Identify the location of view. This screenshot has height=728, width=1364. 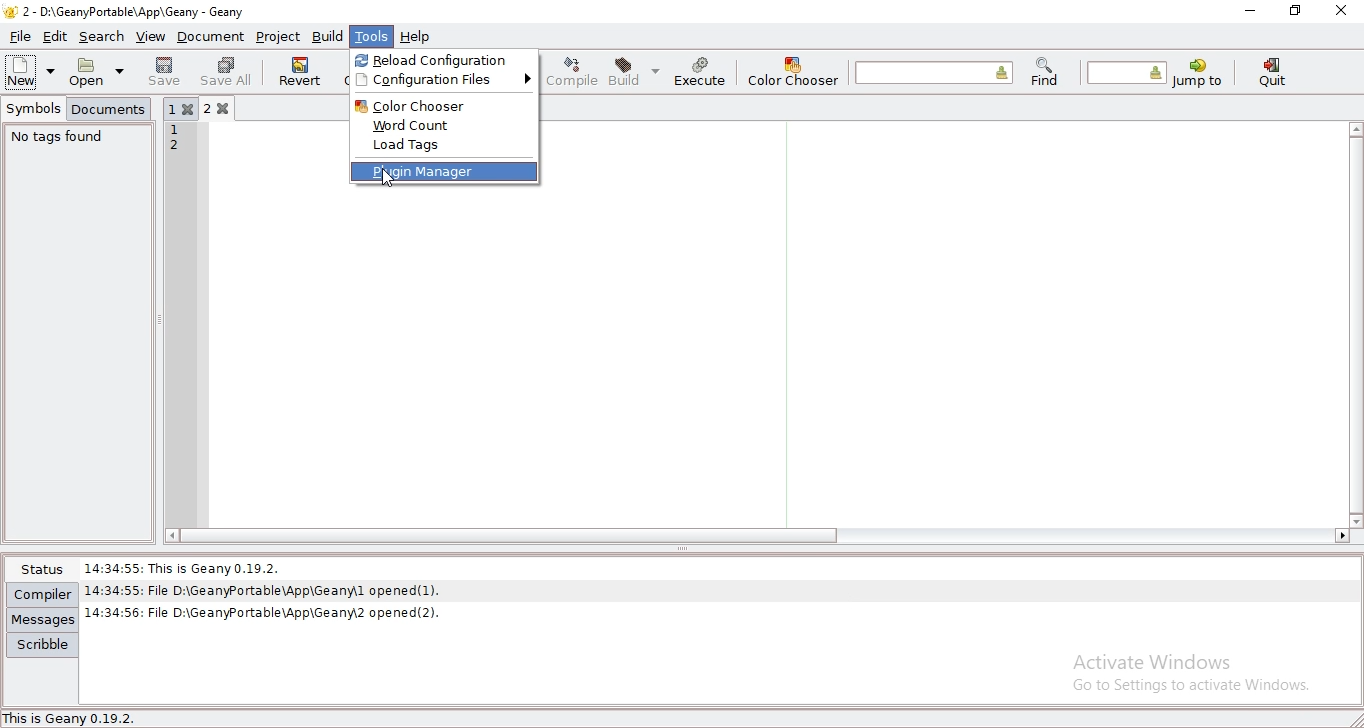
(150, 36).